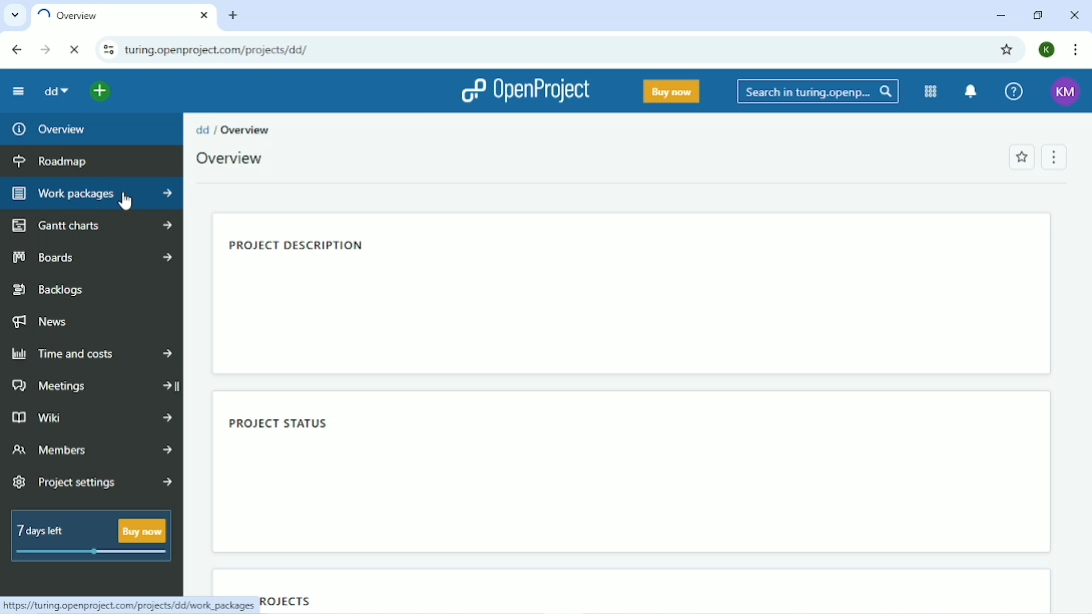 This screenshot has height=614, width=1092. Describe the element at coordinates (1065, 92) in the screenshot. I see `Account` at that location.